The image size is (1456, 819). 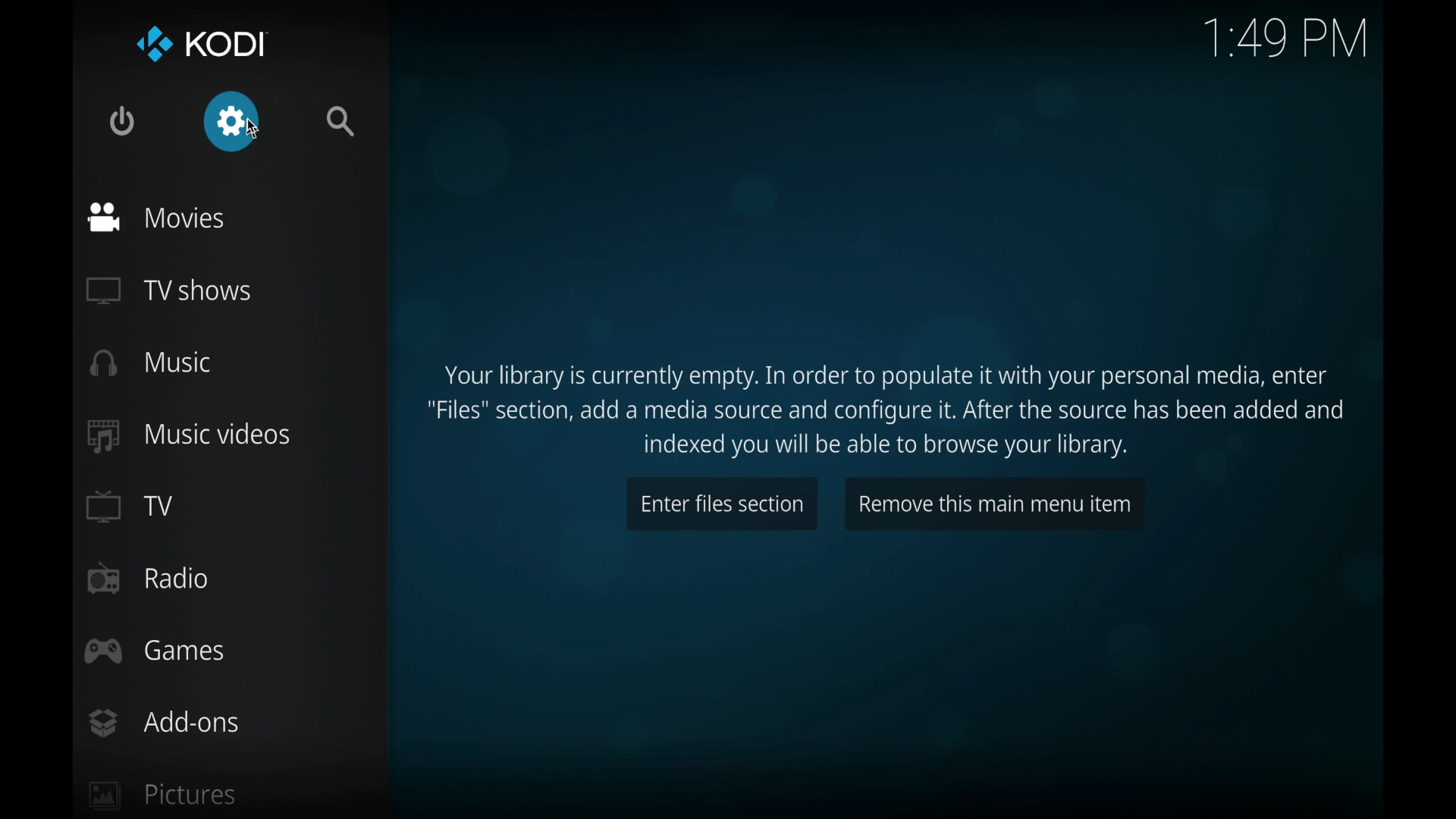 I want to click on cursor, so click(x=254, y=128).